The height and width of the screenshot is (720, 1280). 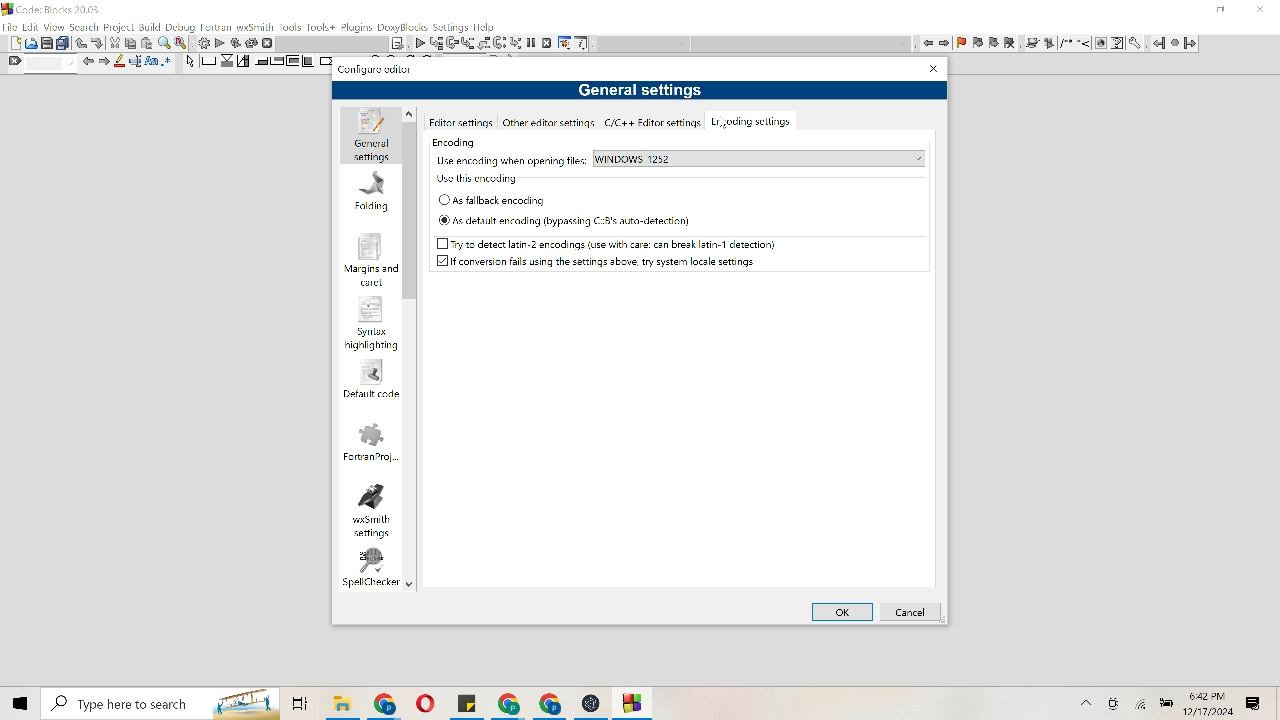 What do you see at coordinates (159, 704) in the screenshot?
I see `Search bar` at bounding box center [159, 704].